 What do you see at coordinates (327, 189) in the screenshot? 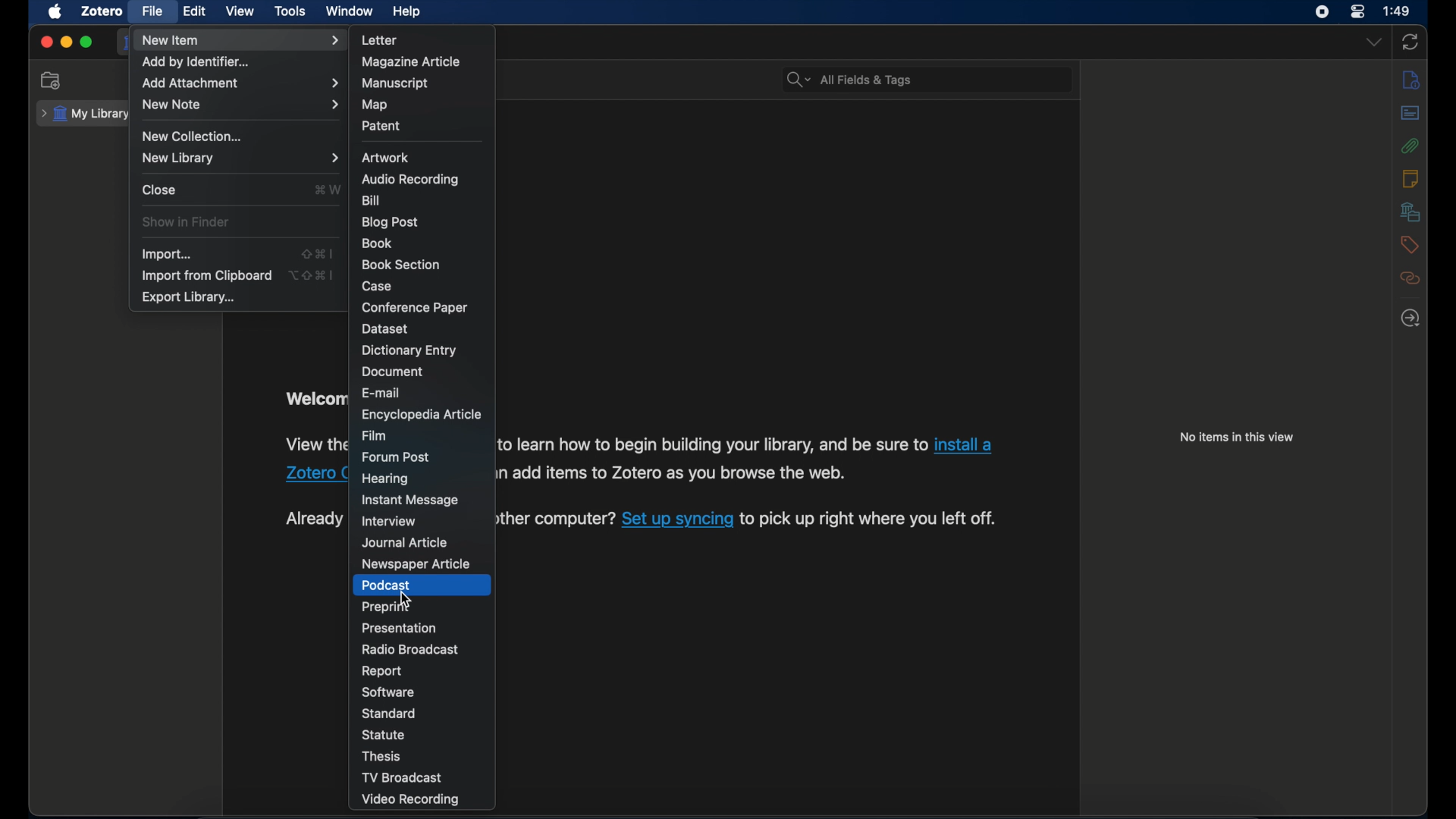
I see `command + W` at bounding box center [327, 189].